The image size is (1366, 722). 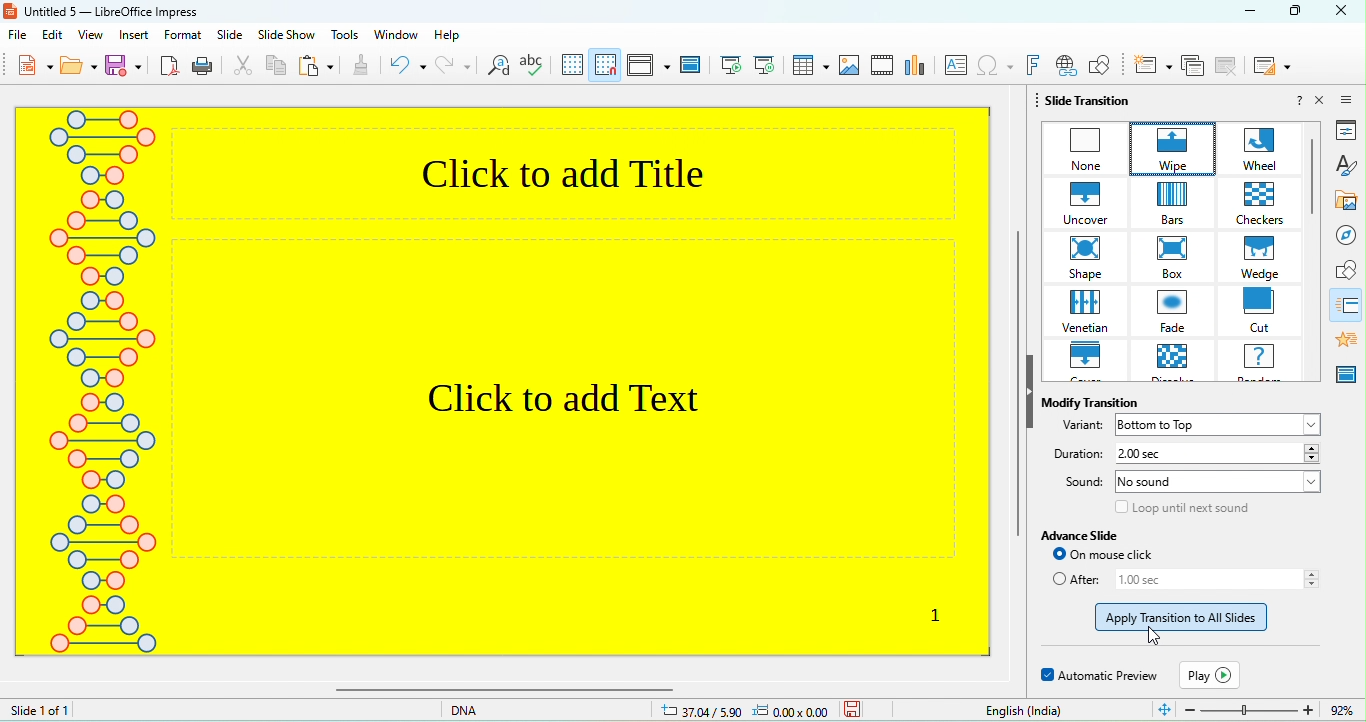 I want to click on slide transition, so click(x=1094, y=102).